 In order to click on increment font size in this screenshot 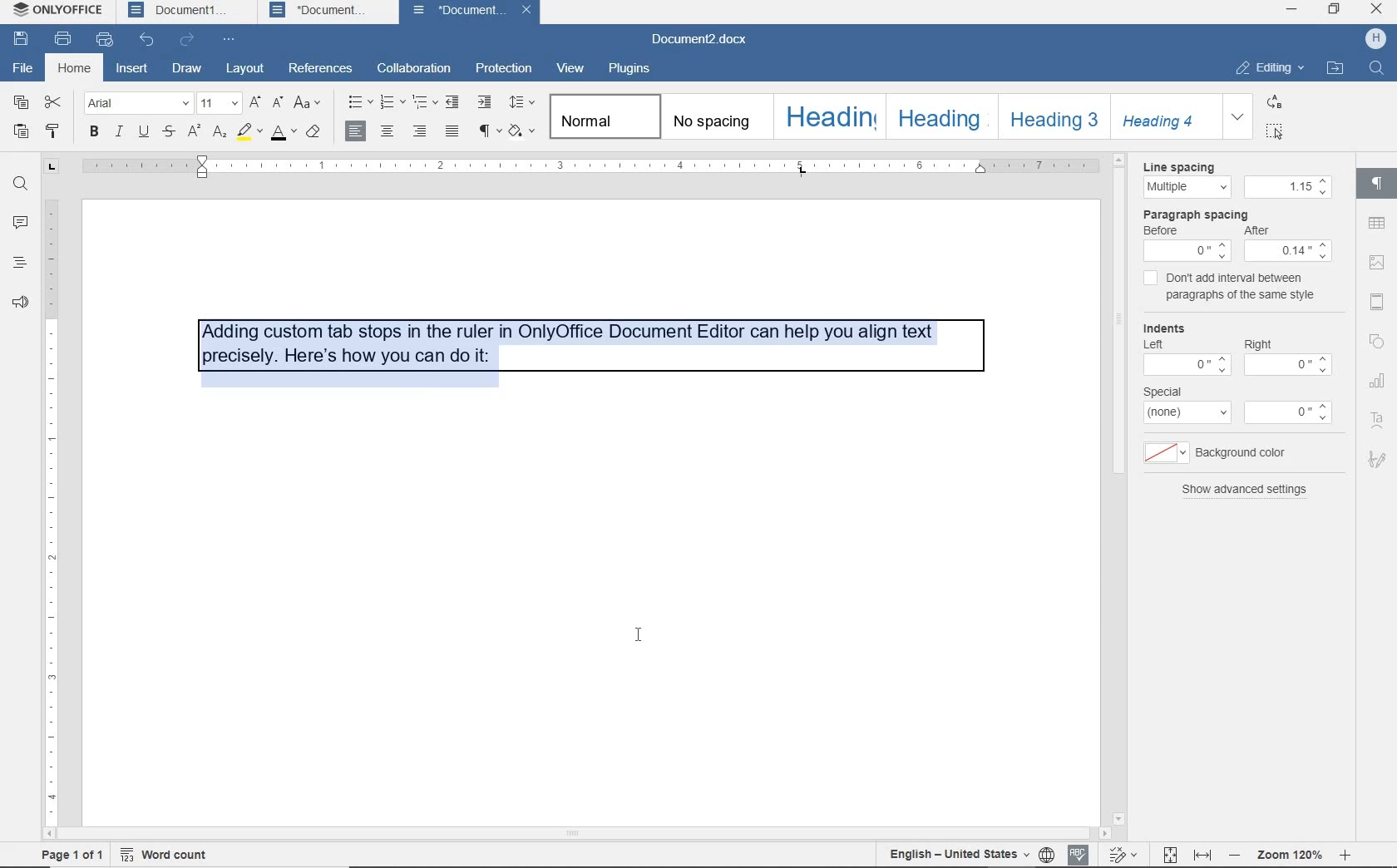, I will do `click(254, 104)`.